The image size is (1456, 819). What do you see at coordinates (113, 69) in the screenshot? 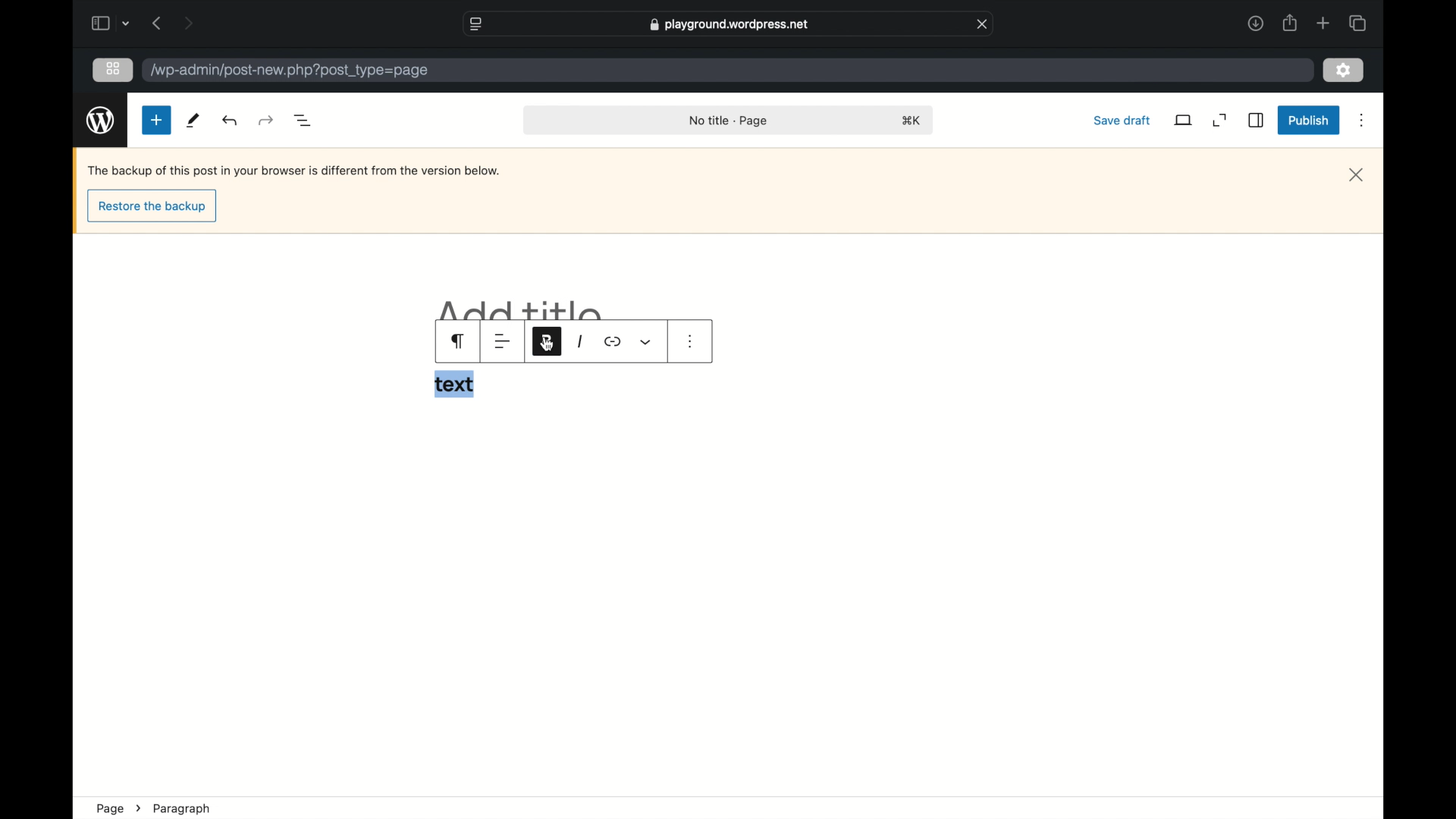
I see `grid view` at bounding box center [113, 69].